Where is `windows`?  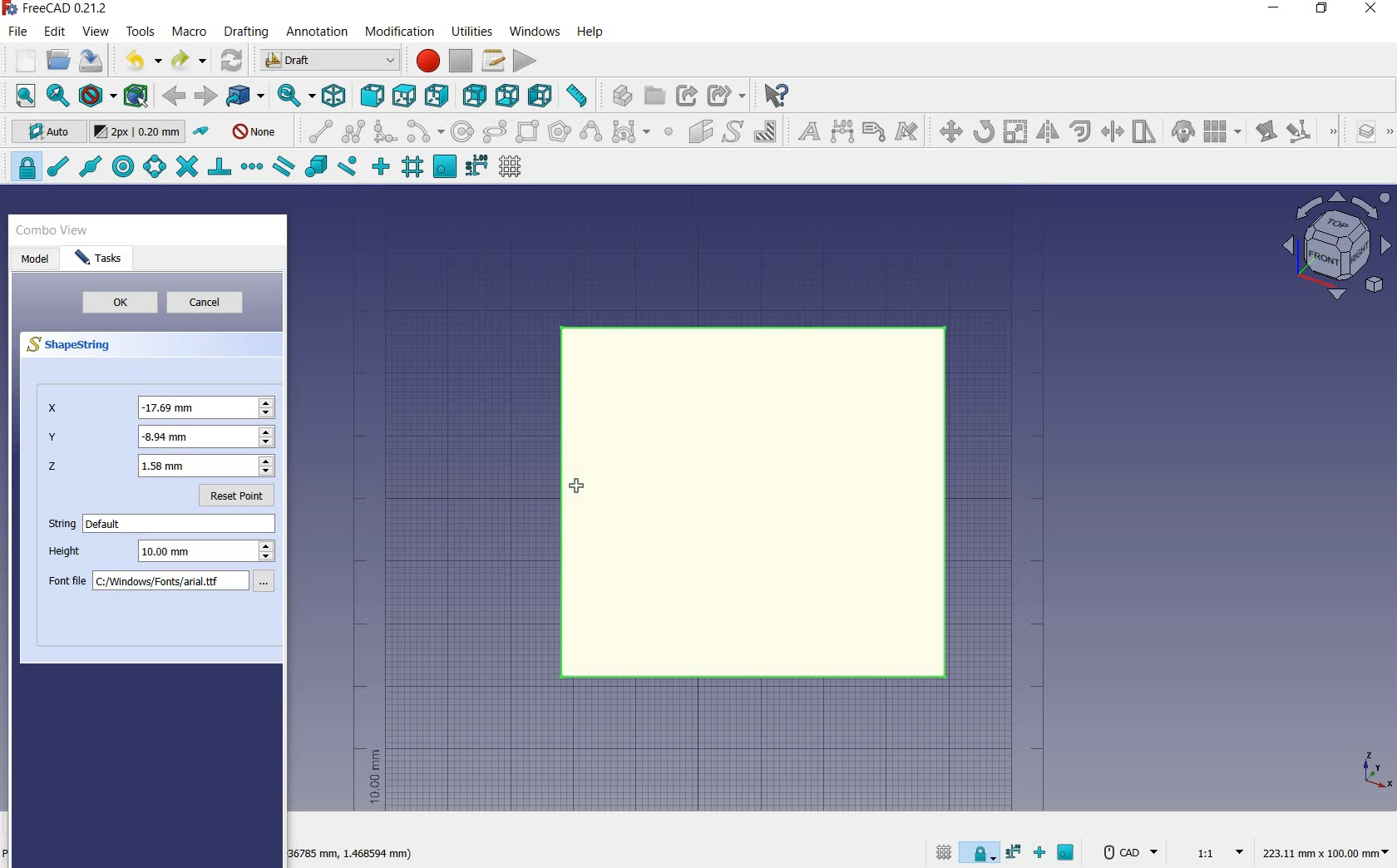 windows is located at coordinates (536, 31).